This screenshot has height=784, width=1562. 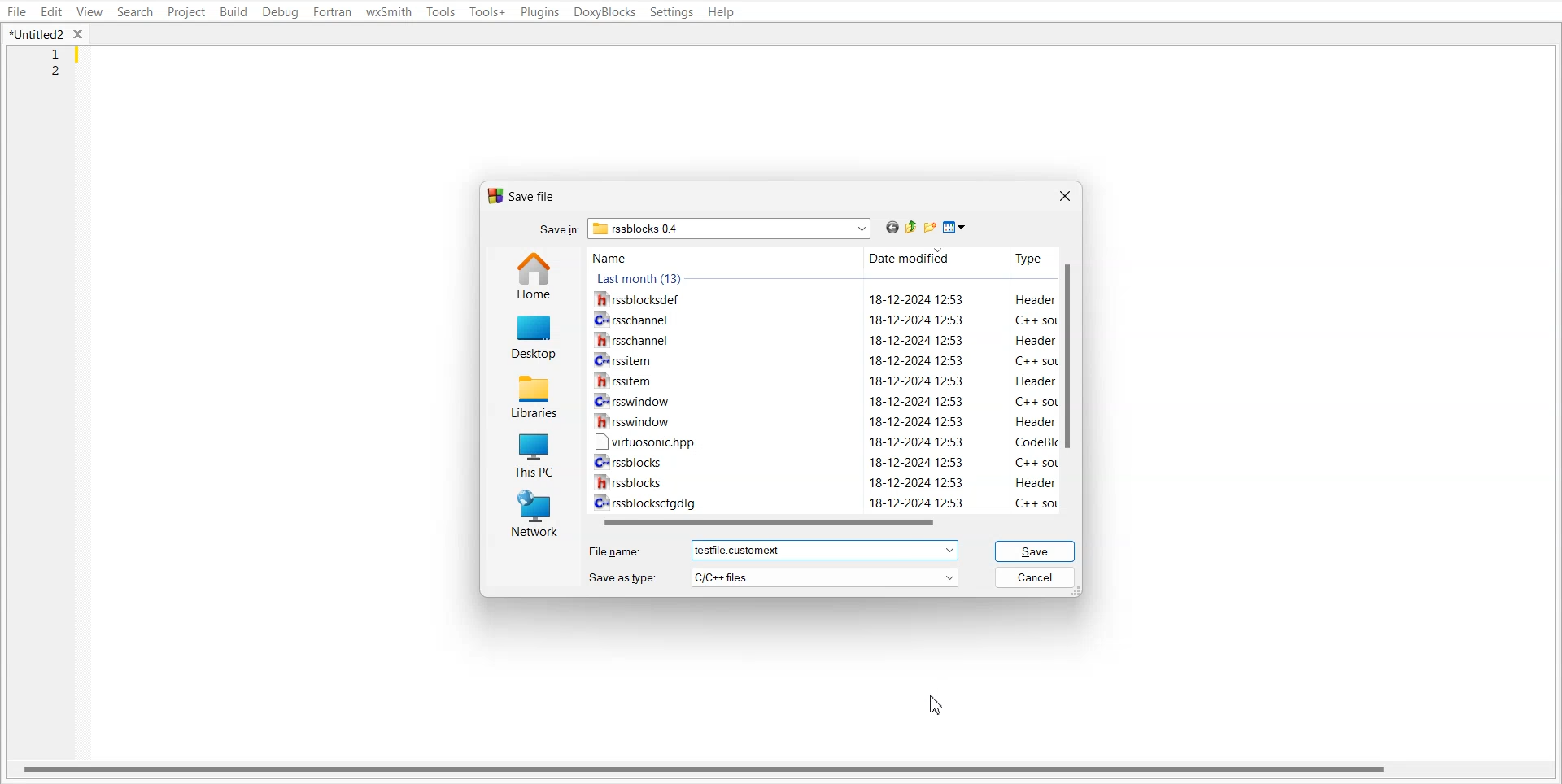 I want to click on Vertical scroll bar, so click(x=1068, y=381).